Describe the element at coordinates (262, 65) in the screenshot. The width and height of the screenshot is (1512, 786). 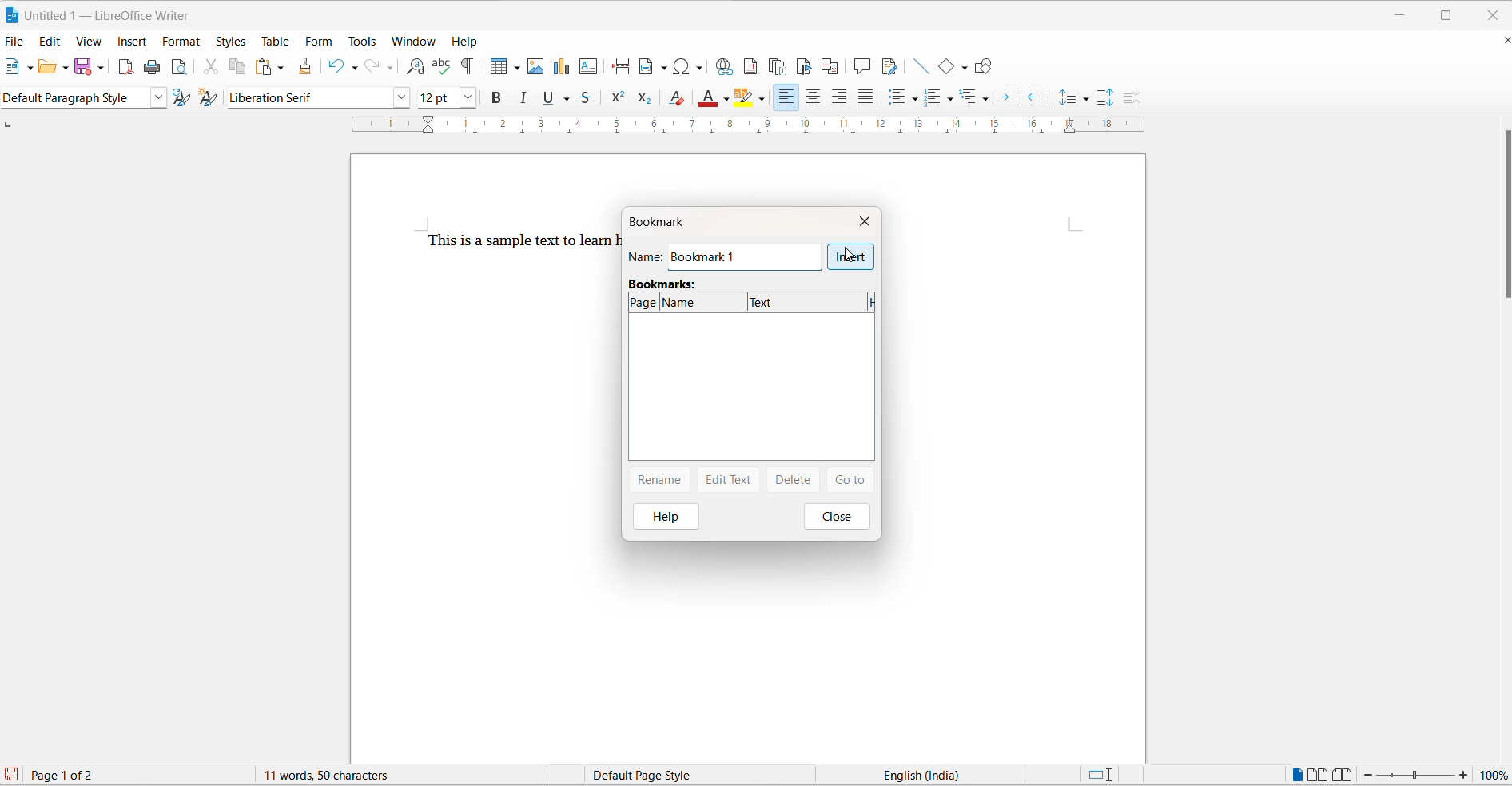
I see `paste` at that location.